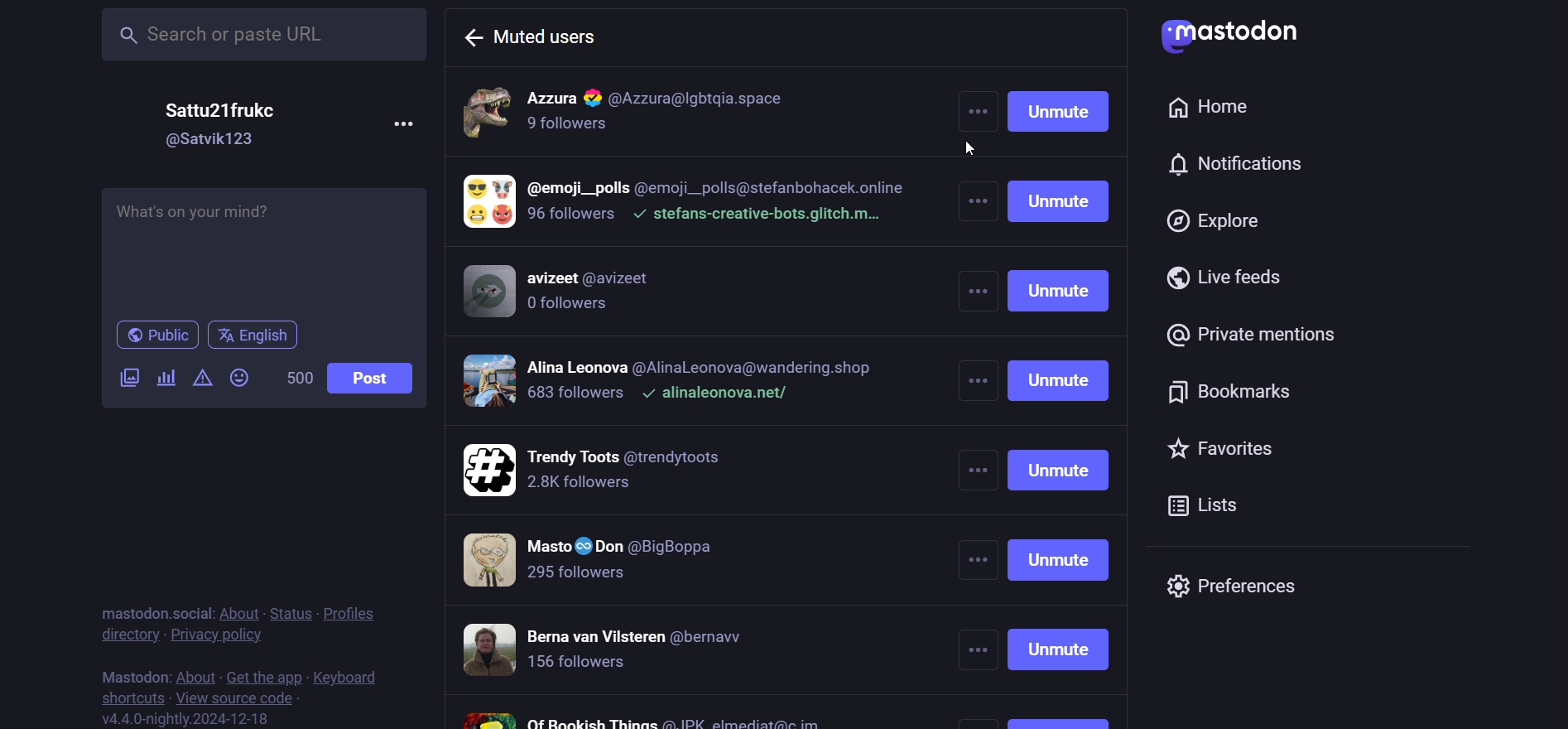 This screenshot has width=1568, height=729. I want to click on muter users 5, so click(602, 466).